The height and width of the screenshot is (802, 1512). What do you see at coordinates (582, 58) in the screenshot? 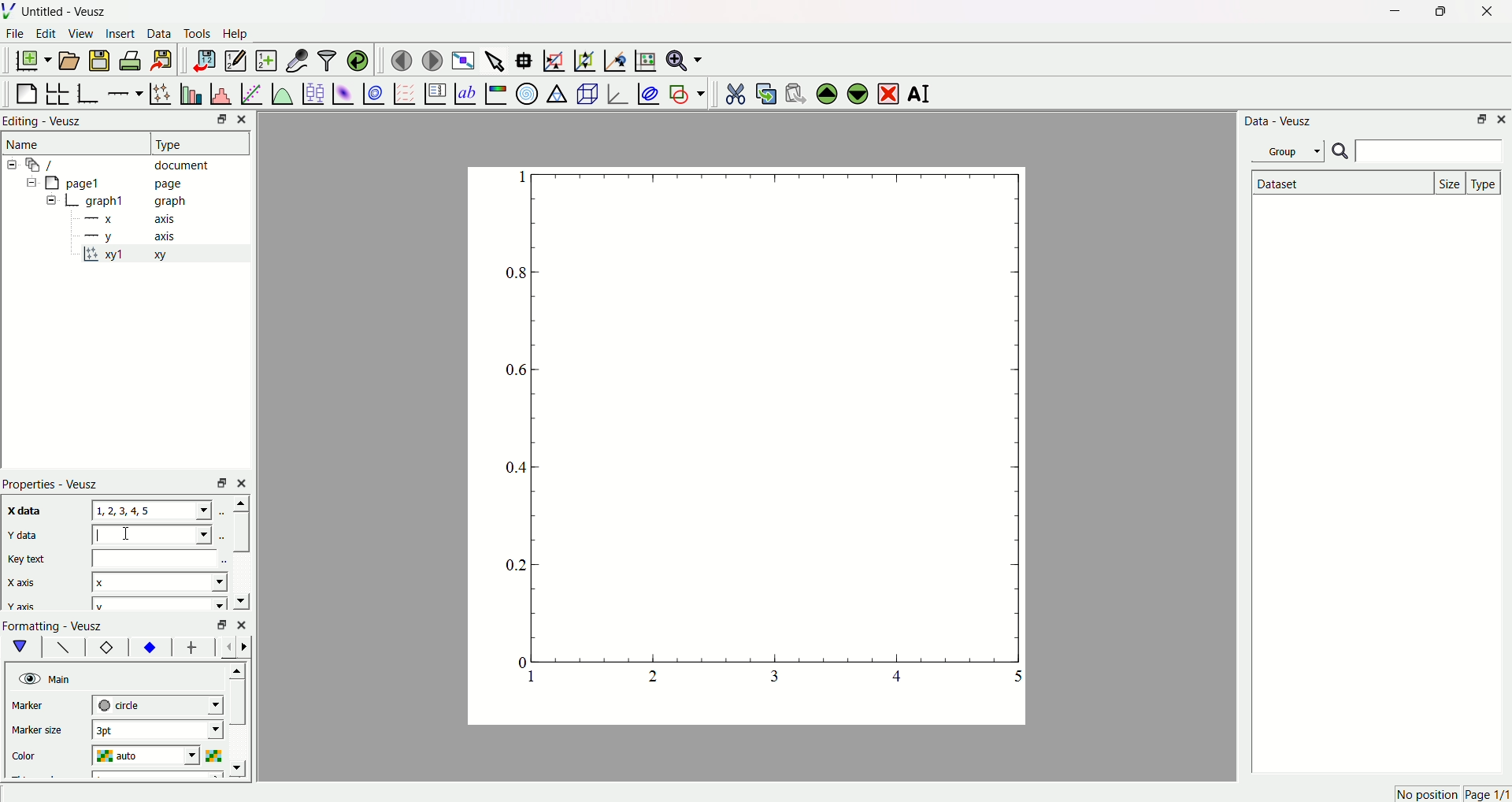
I see `zoom the graph axes` at bounding box center [582, 58].